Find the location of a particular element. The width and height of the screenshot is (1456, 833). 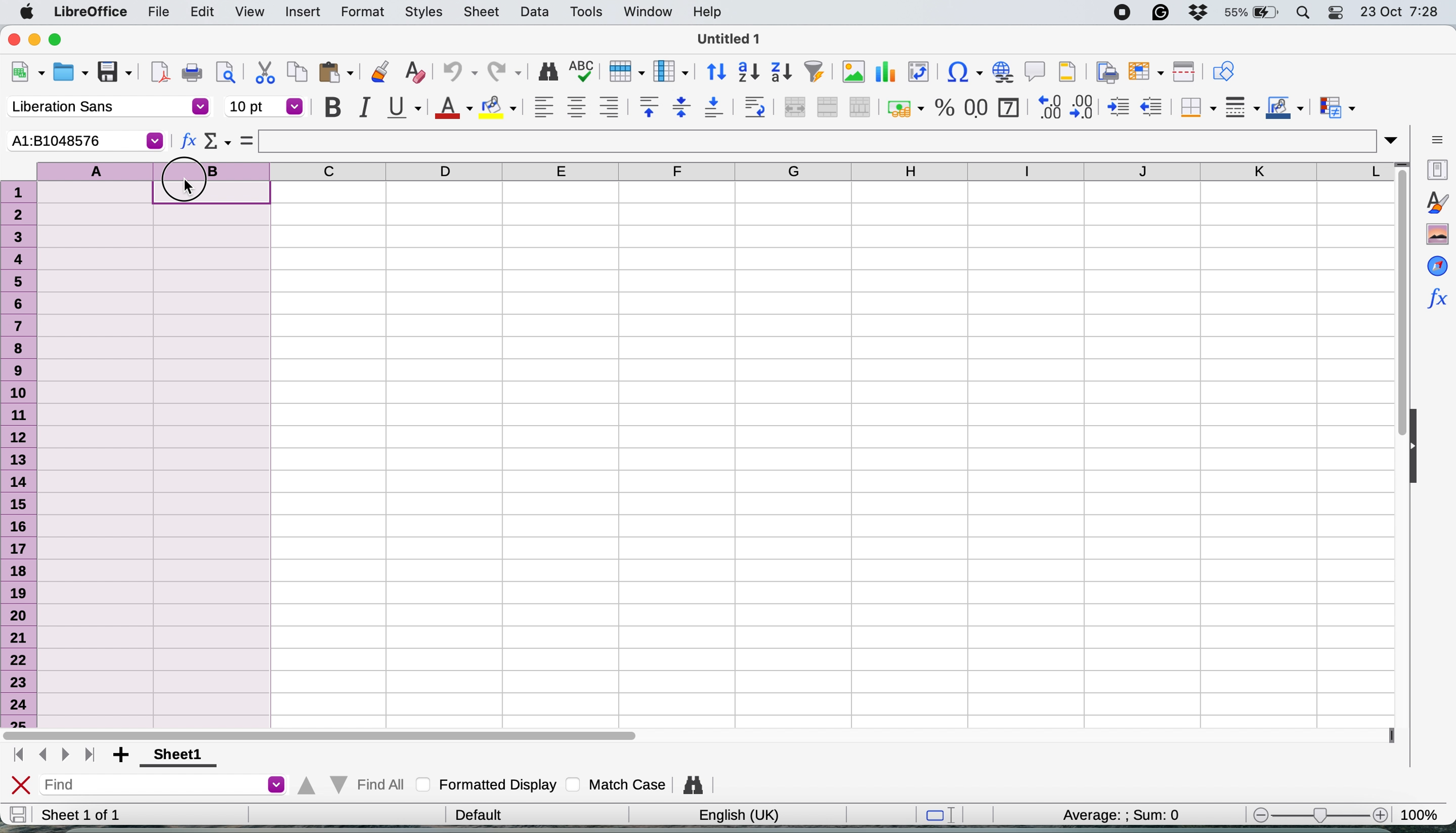

print is located at coordinates (194, 74).